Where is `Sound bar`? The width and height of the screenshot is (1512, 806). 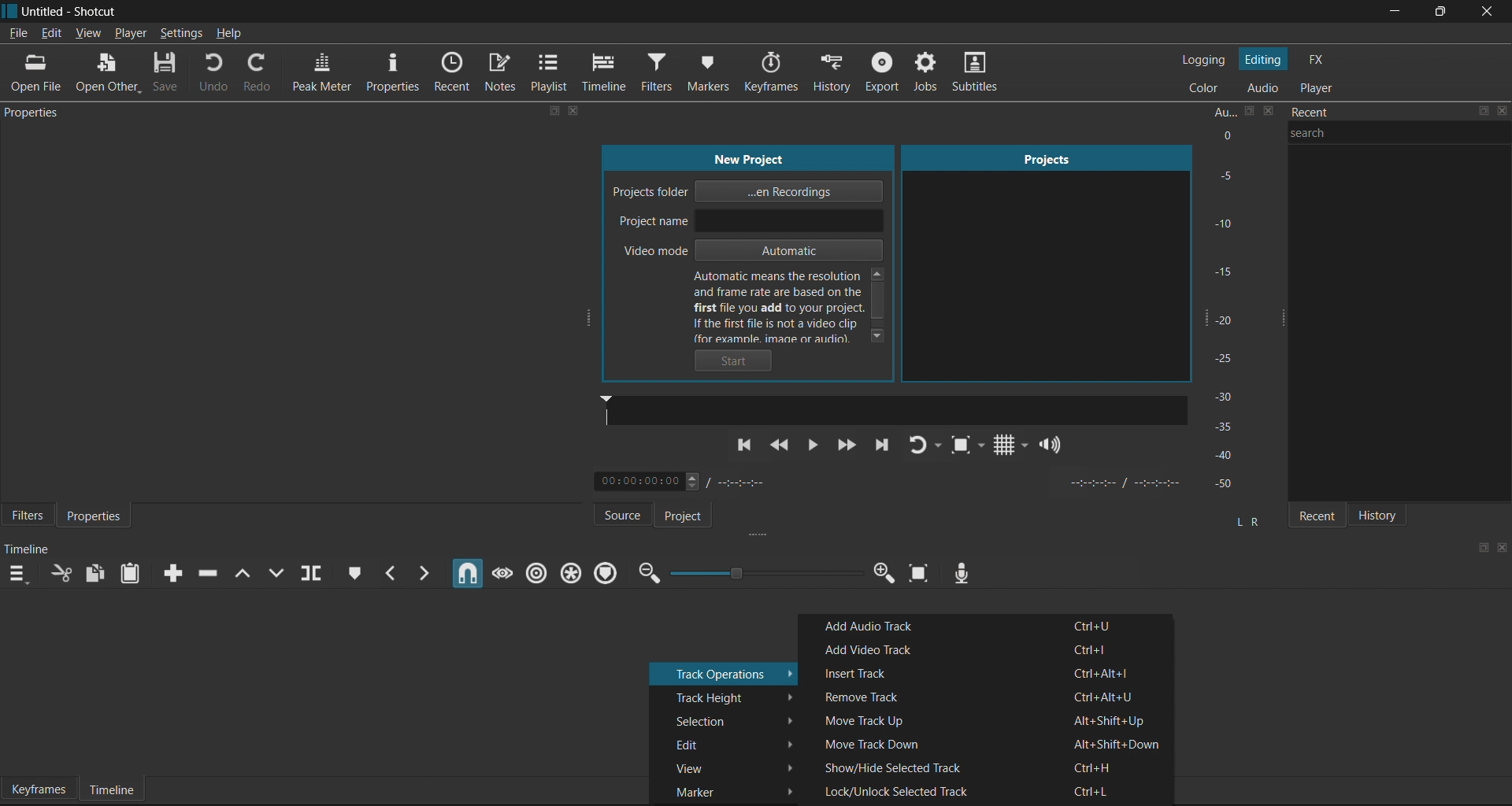 Sound bar is located at coordinates (893, 409).